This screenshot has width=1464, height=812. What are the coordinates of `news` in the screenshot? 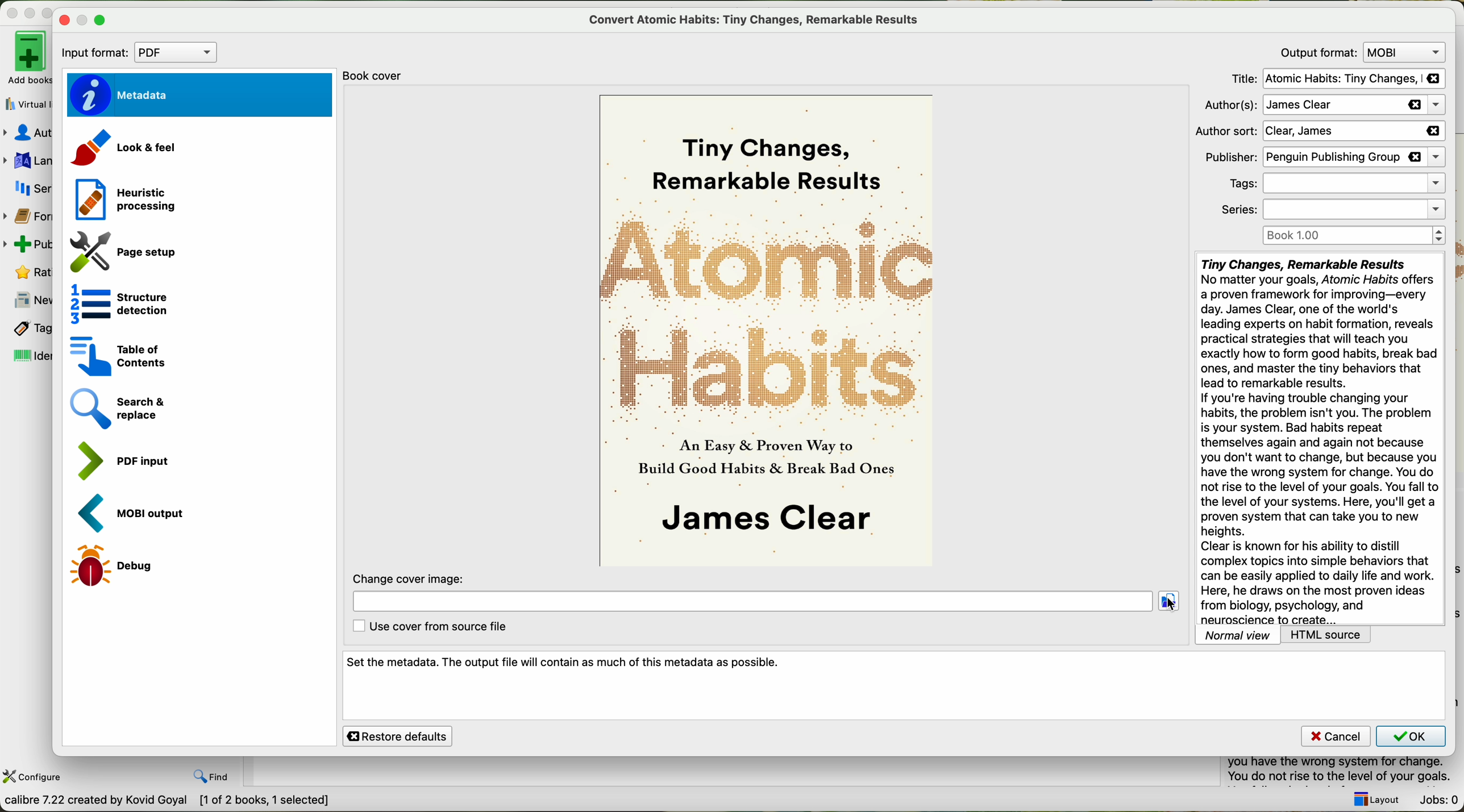 It's located at (27, 301).